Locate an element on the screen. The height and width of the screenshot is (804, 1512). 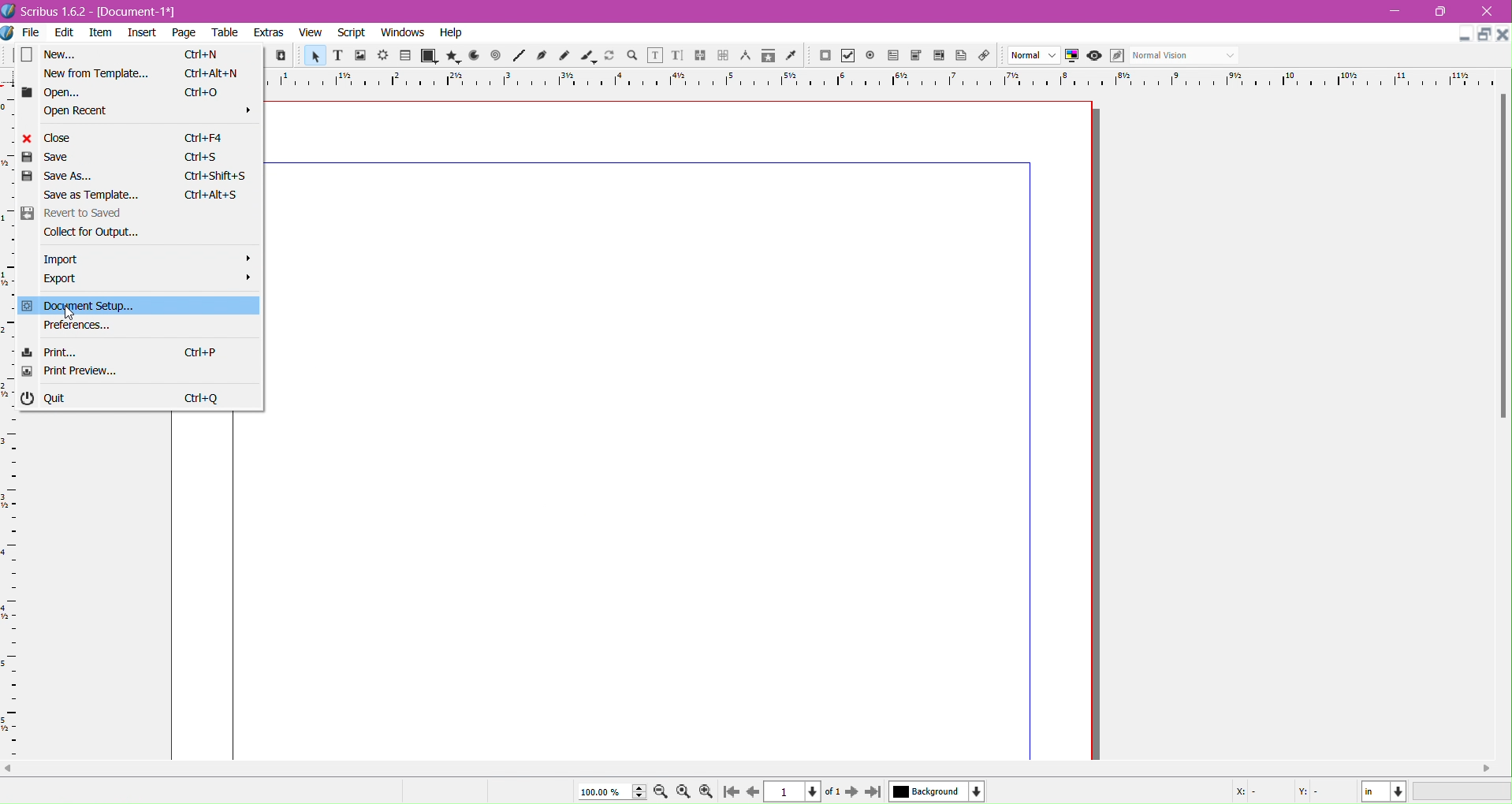
copy item properties is located at coordinates (768, 58).